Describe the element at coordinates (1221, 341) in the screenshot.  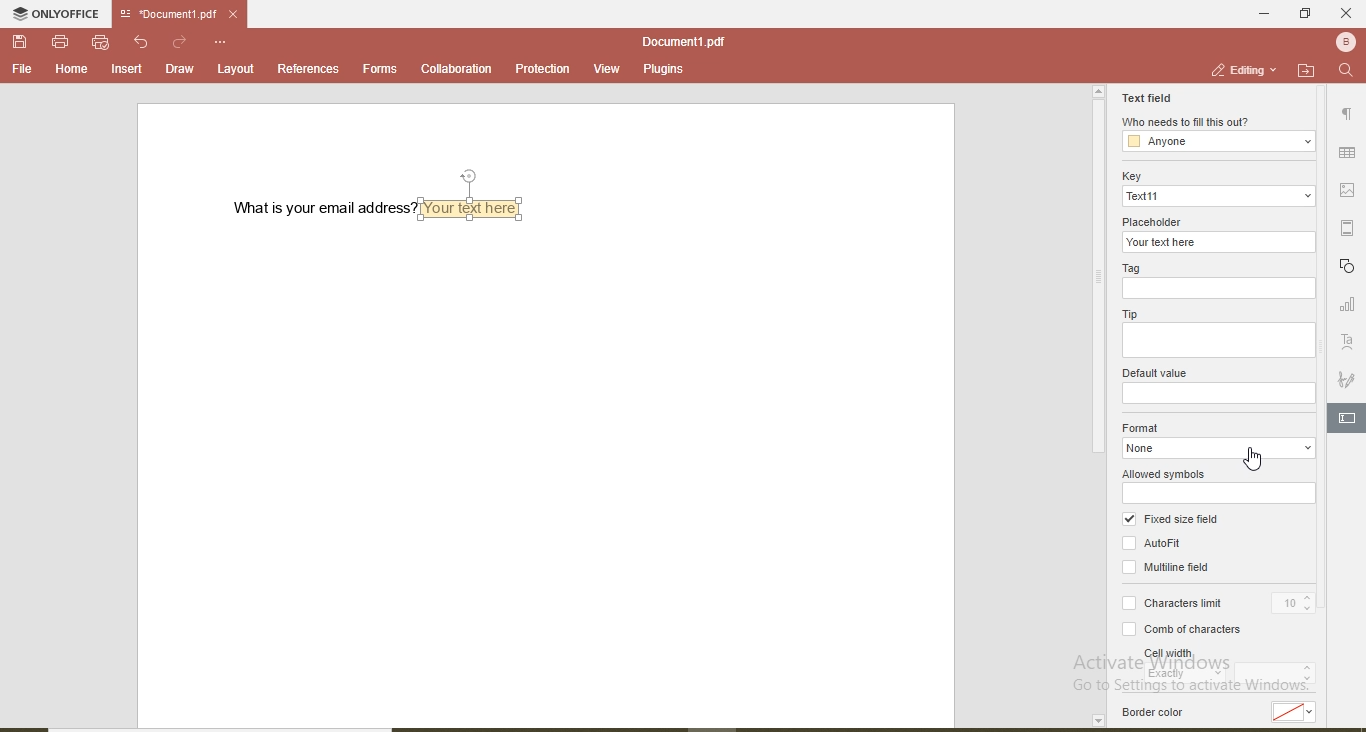
I see `tip input` at that location.